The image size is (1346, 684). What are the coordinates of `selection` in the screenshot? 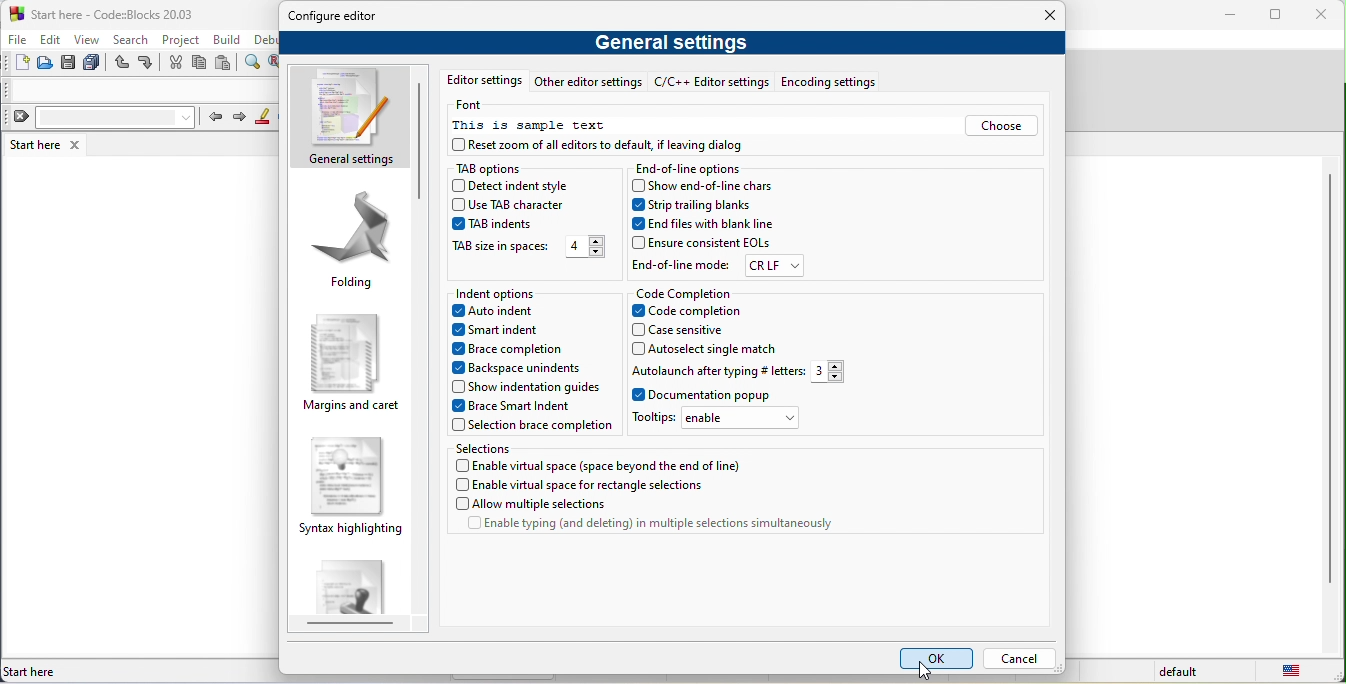 It's located at (485, 448).